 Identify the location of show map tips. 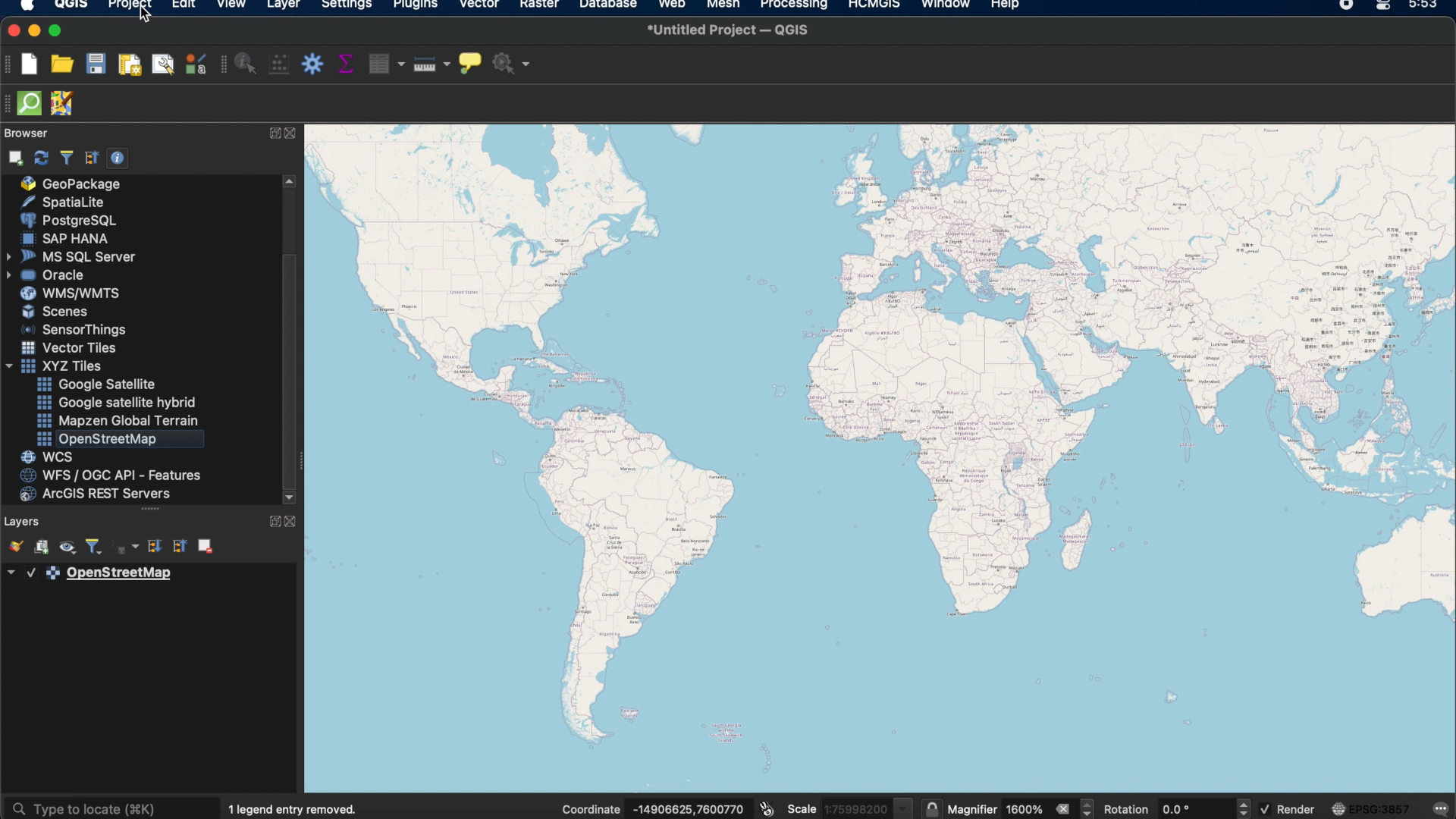
(471, 64).